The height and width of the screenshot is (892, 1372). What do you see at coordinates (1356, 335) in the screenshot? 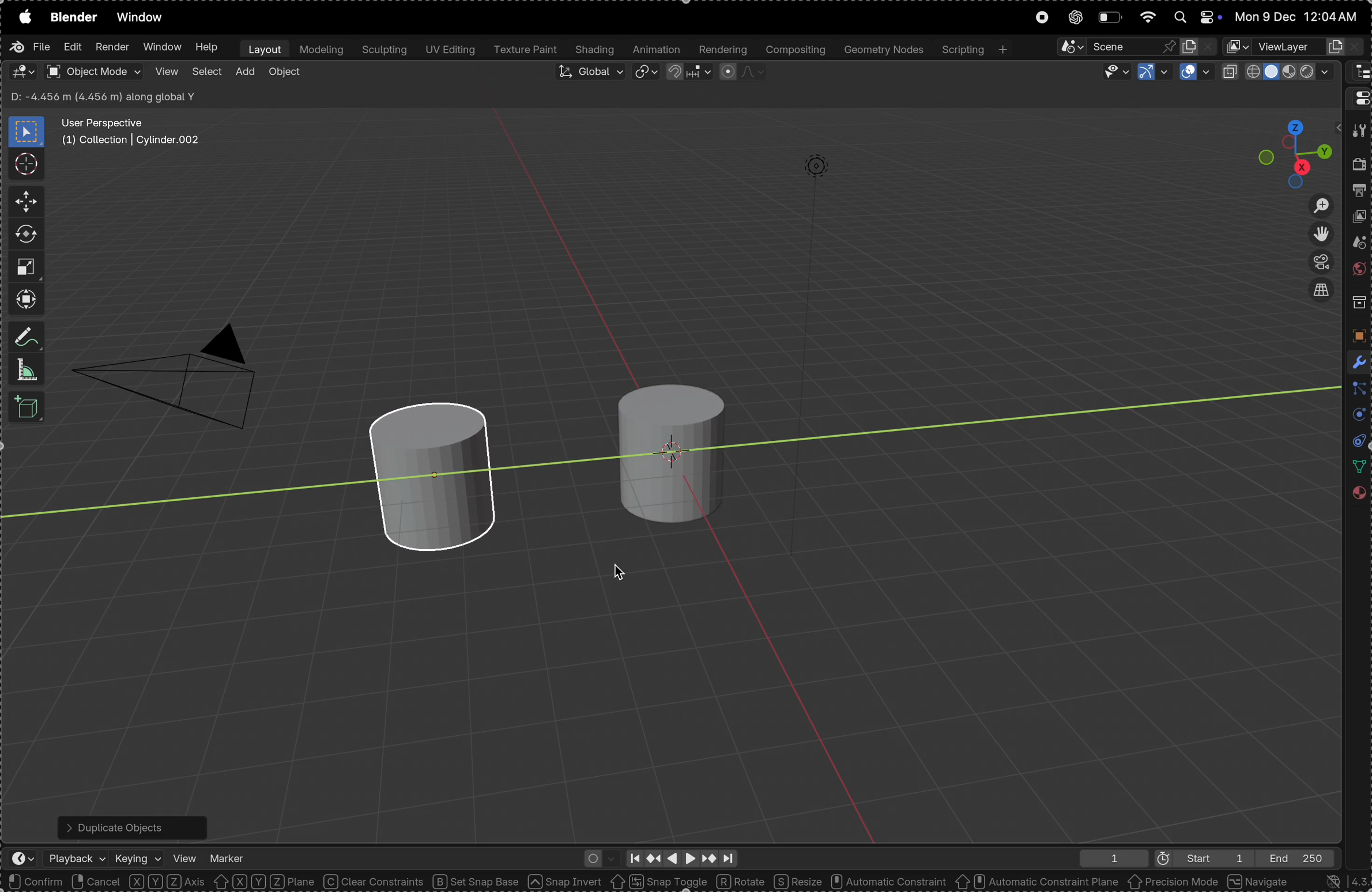
I see `objects` at bounding box center [1356, 335].